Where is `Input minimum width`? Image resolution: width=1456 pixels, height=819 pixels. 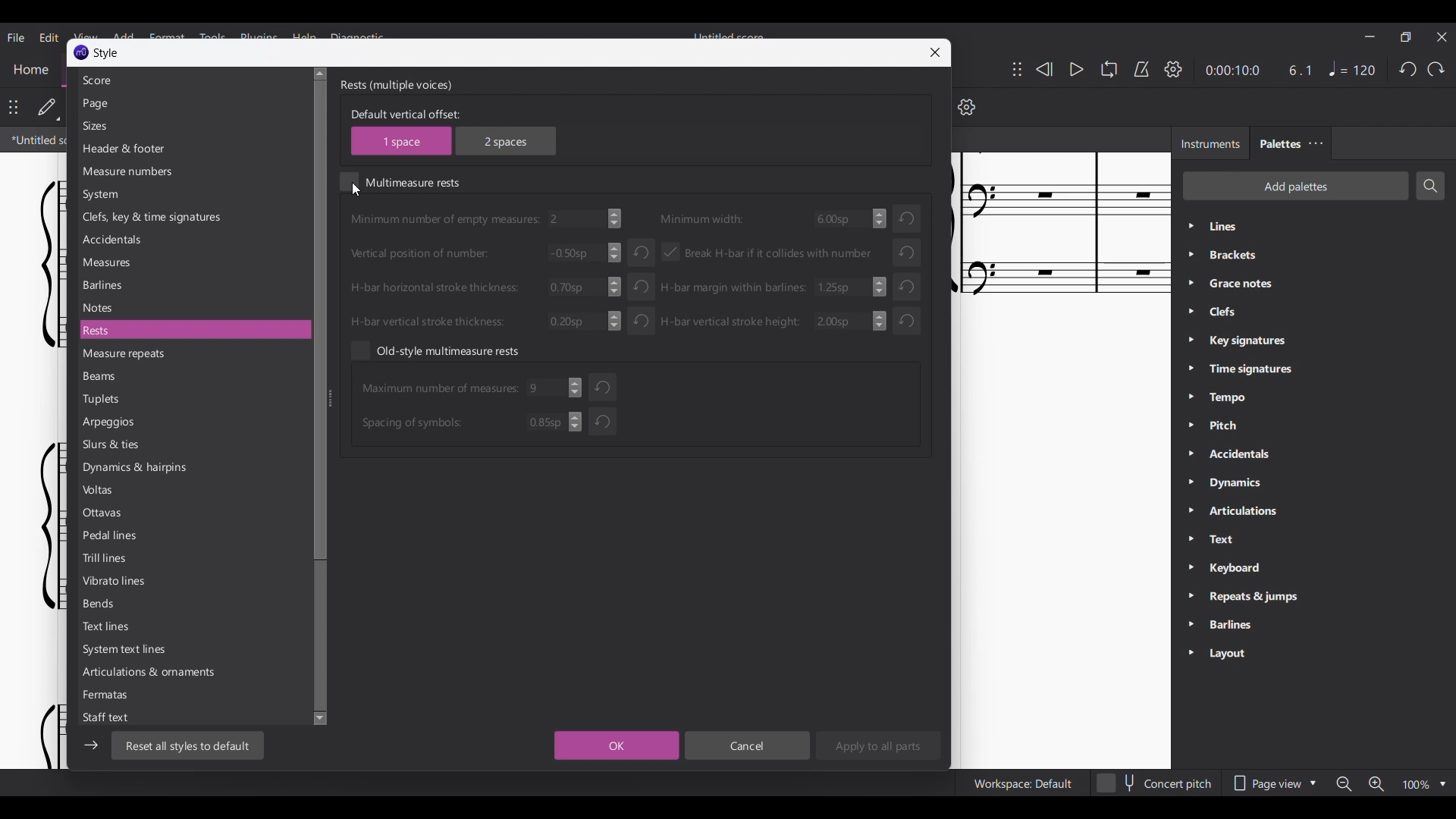
Input minimum width is located at coordinates (764, 220).